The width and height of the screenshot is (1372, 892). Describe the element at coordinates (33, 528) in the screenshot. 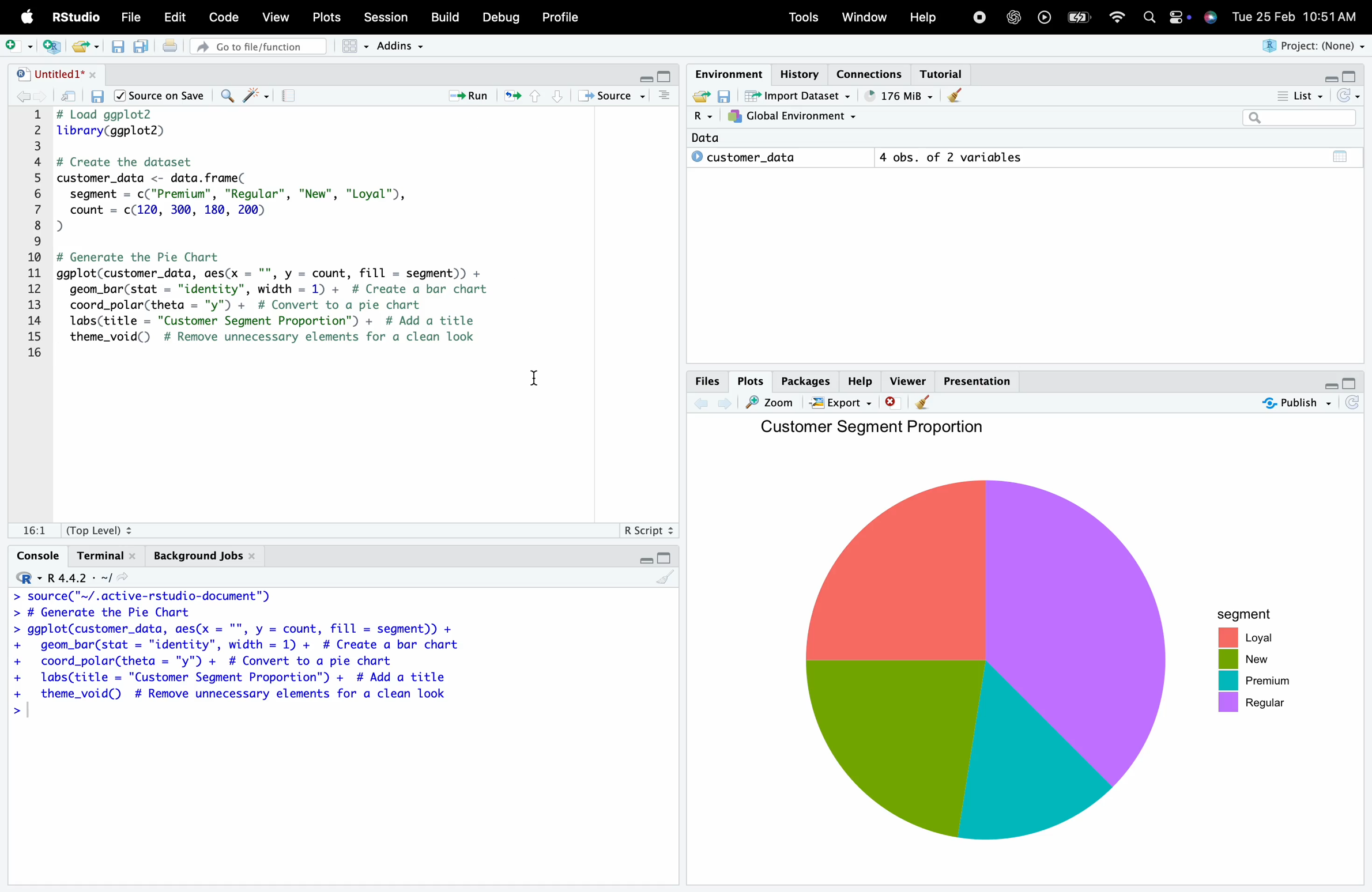

I see `1:1` at that location.